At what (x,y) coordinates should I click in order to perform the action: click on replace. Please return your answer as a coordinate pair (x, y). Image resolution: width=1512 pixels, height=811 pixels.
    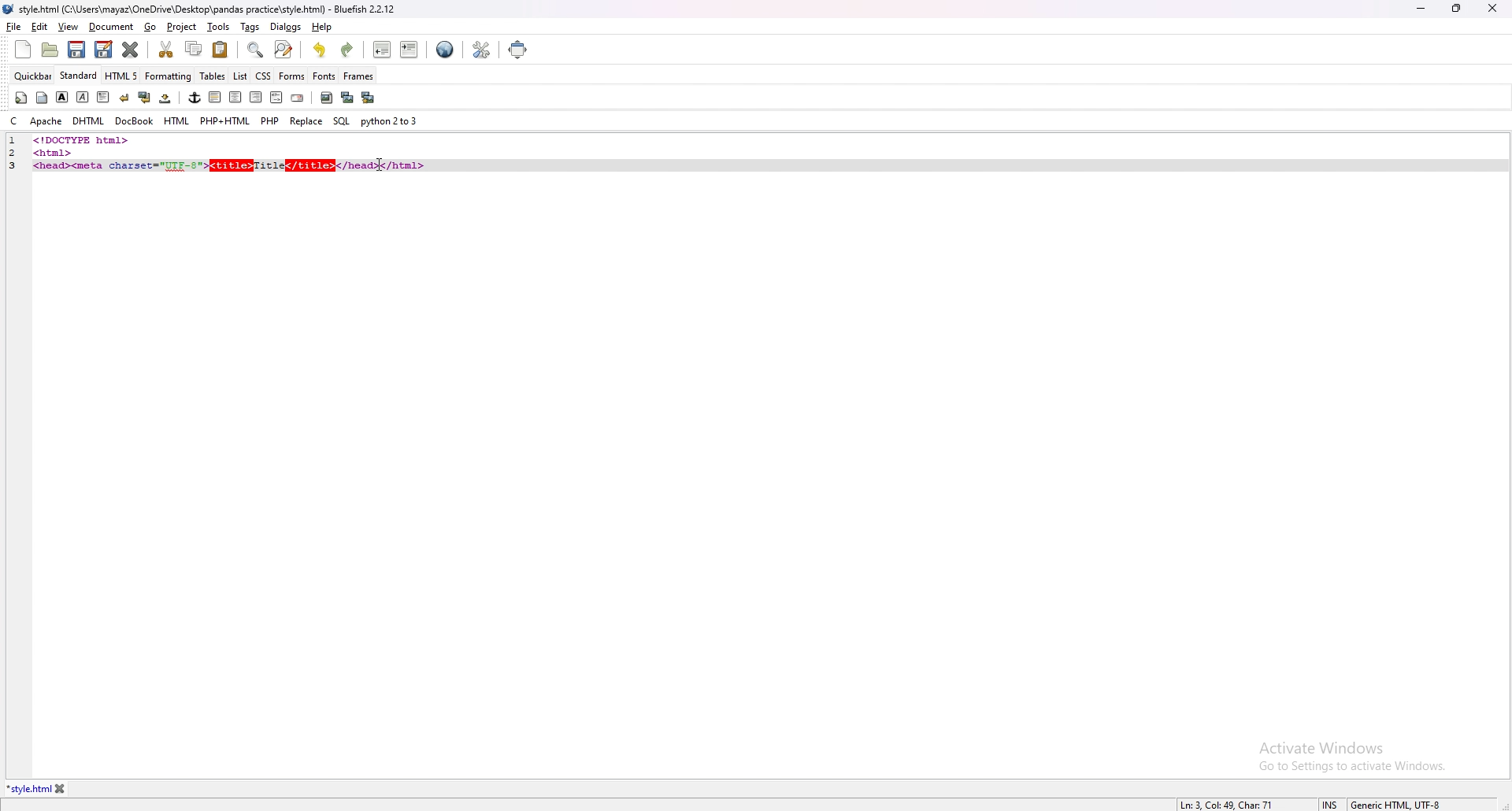
    Looking at the image, I should click on (306, 120).